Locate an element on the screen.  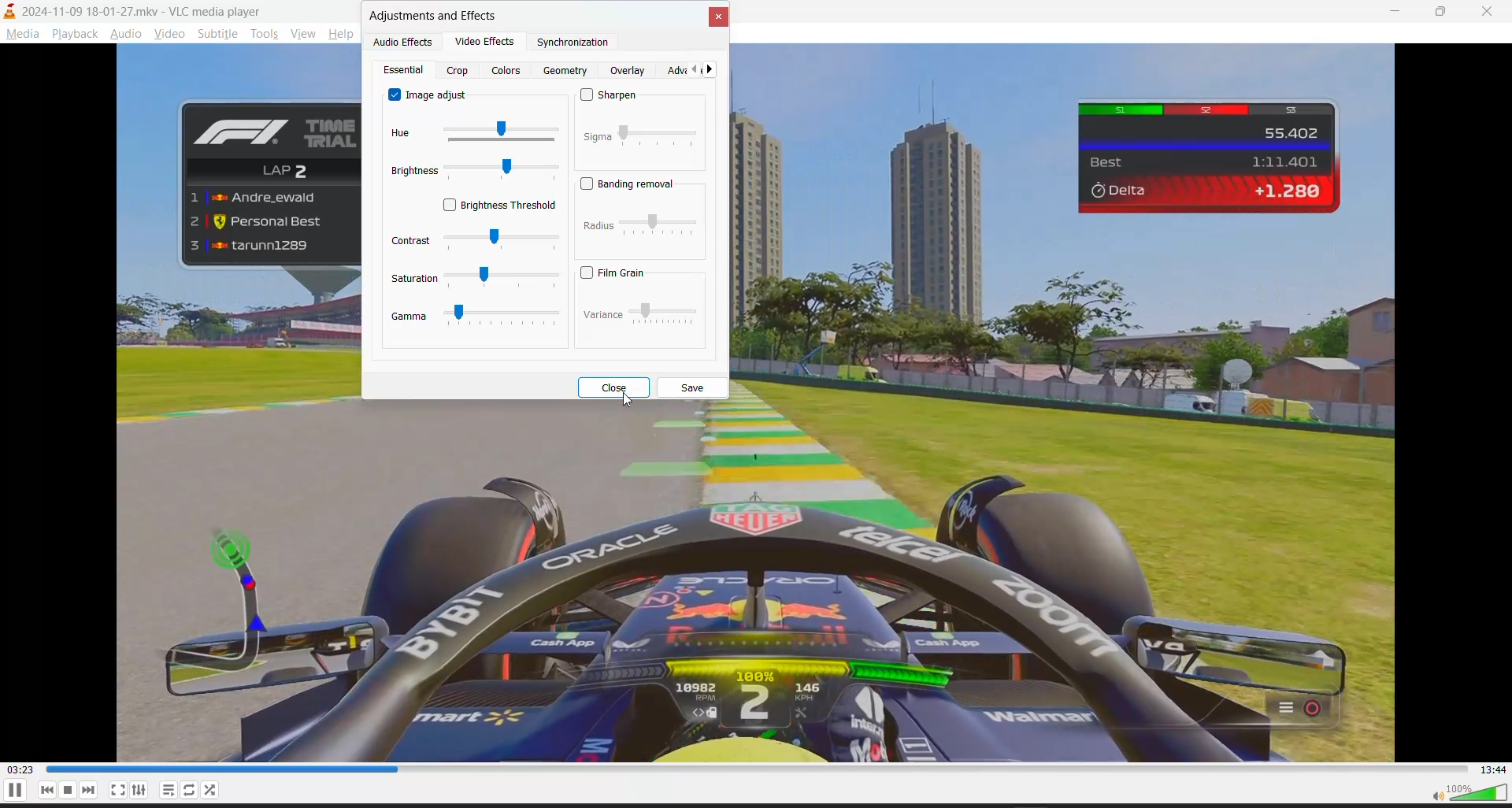
brightness slider is located at coordinates (502, 171).